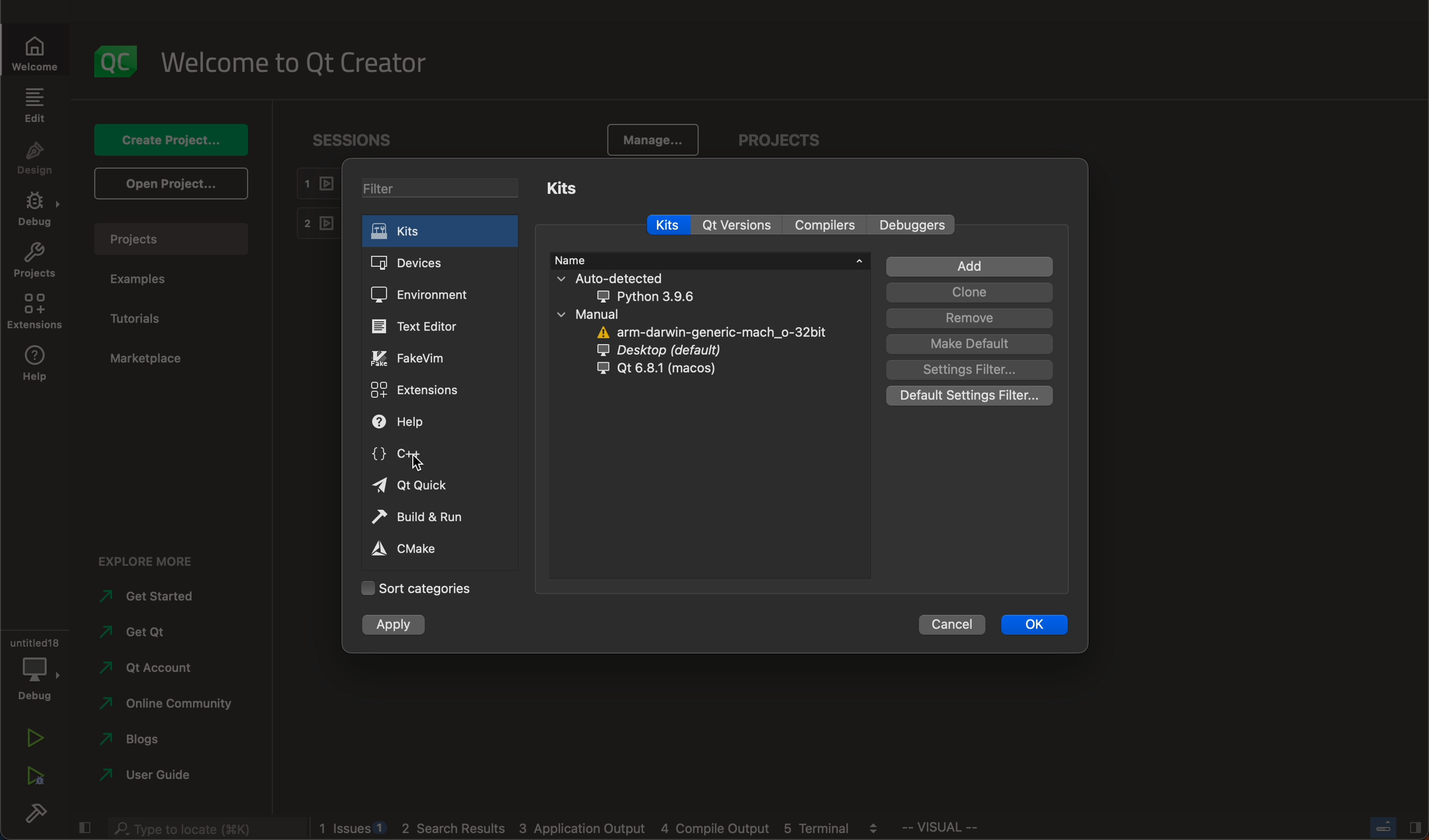  I want to click on add, so click(972, 267).